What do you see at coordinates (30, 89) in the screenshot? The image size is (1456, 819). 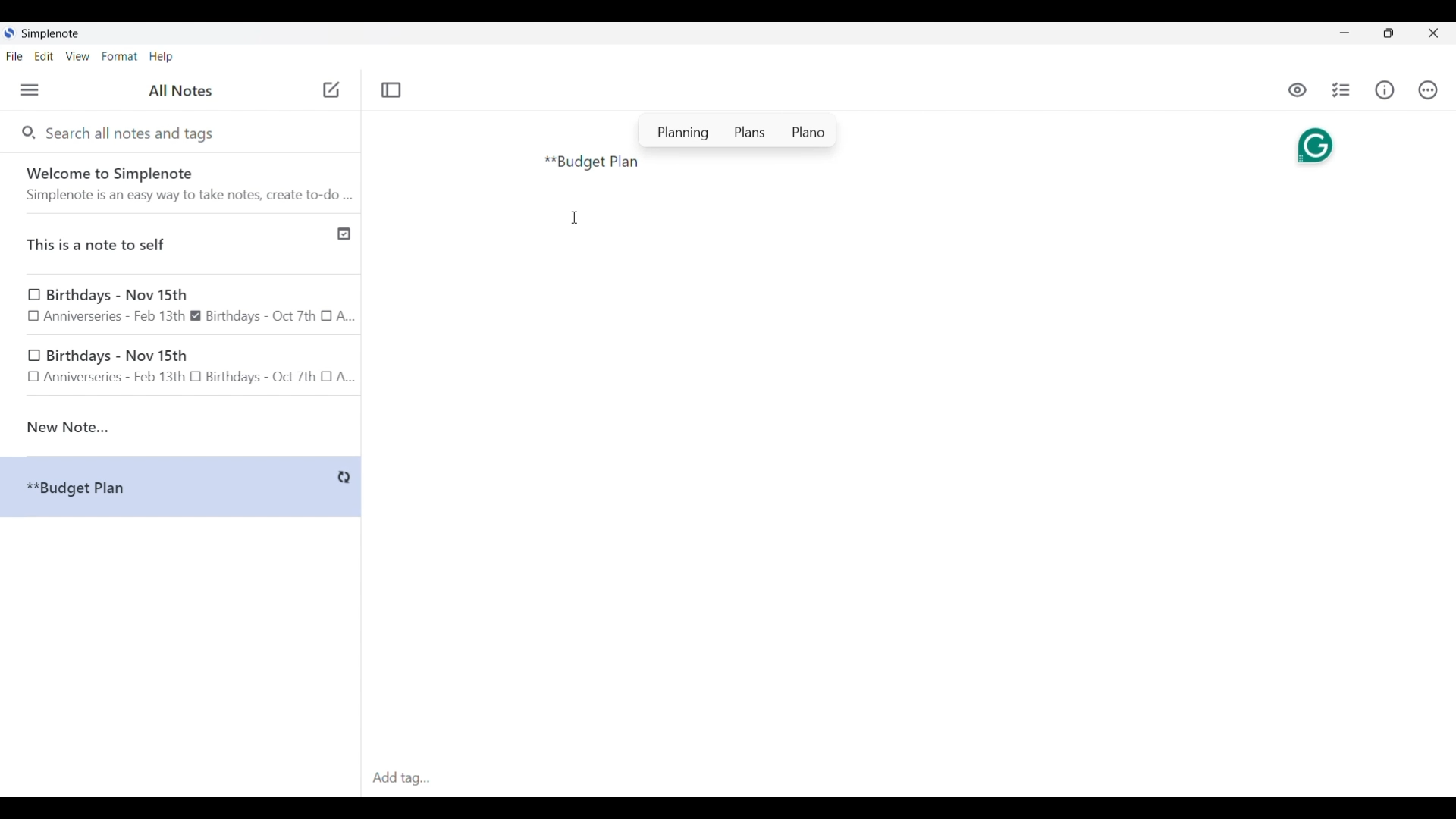 I see `Menu` at bounding box center [30, 89].